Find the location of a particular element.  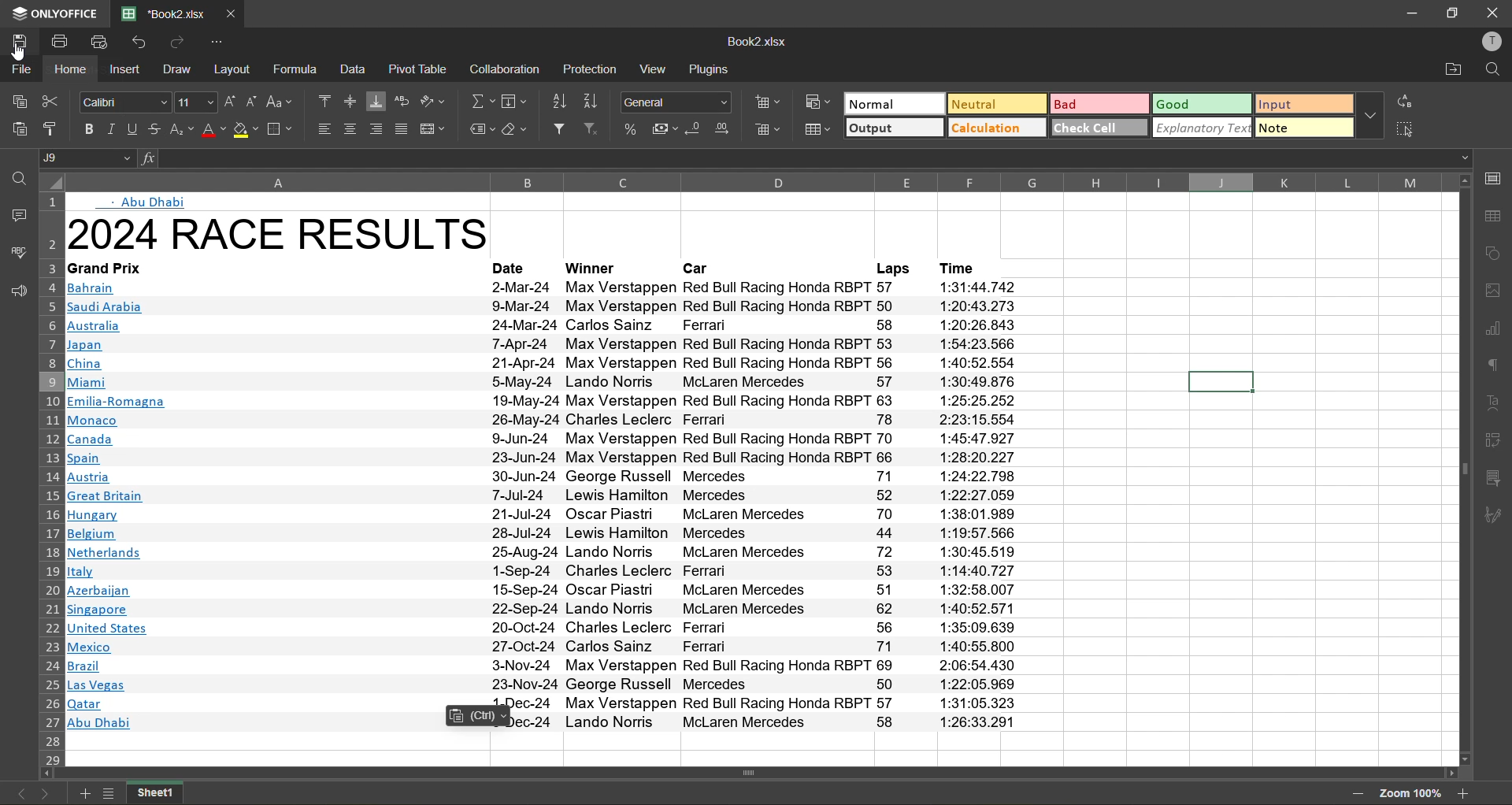

find is located at coordinates (1494, 70).